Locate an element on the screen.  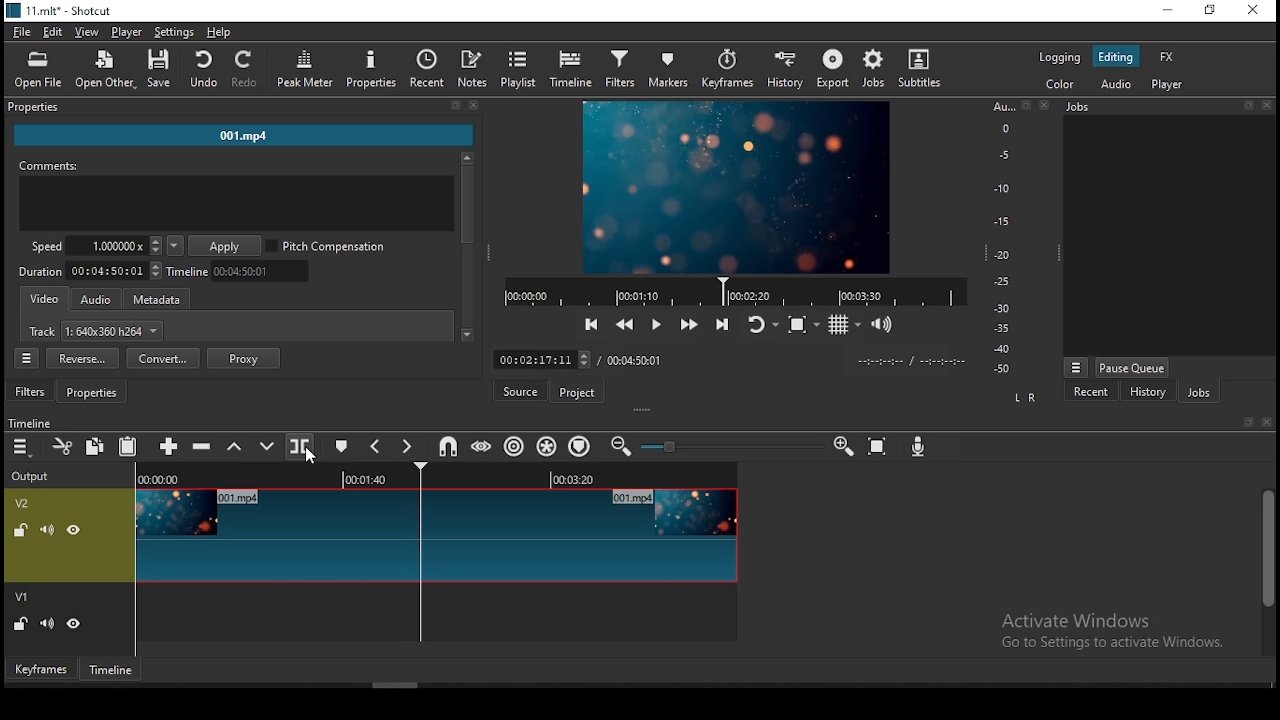
notes is located at coordinates (475, 69).